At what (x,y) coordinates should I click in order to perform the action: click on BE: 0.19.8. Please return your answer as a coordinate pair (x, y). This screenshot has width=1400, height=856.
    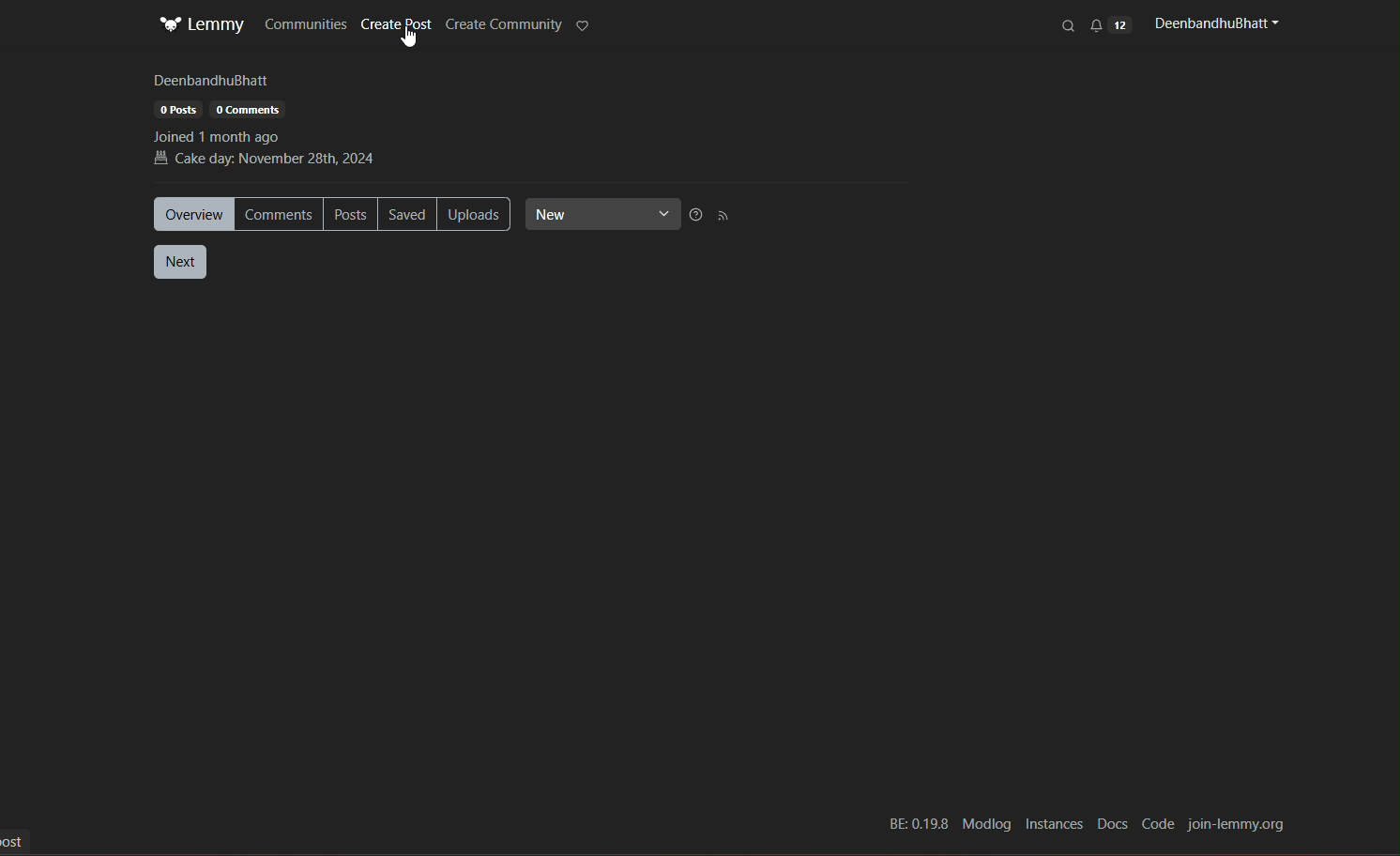
    Looking at the image, I should click on (916, 825).